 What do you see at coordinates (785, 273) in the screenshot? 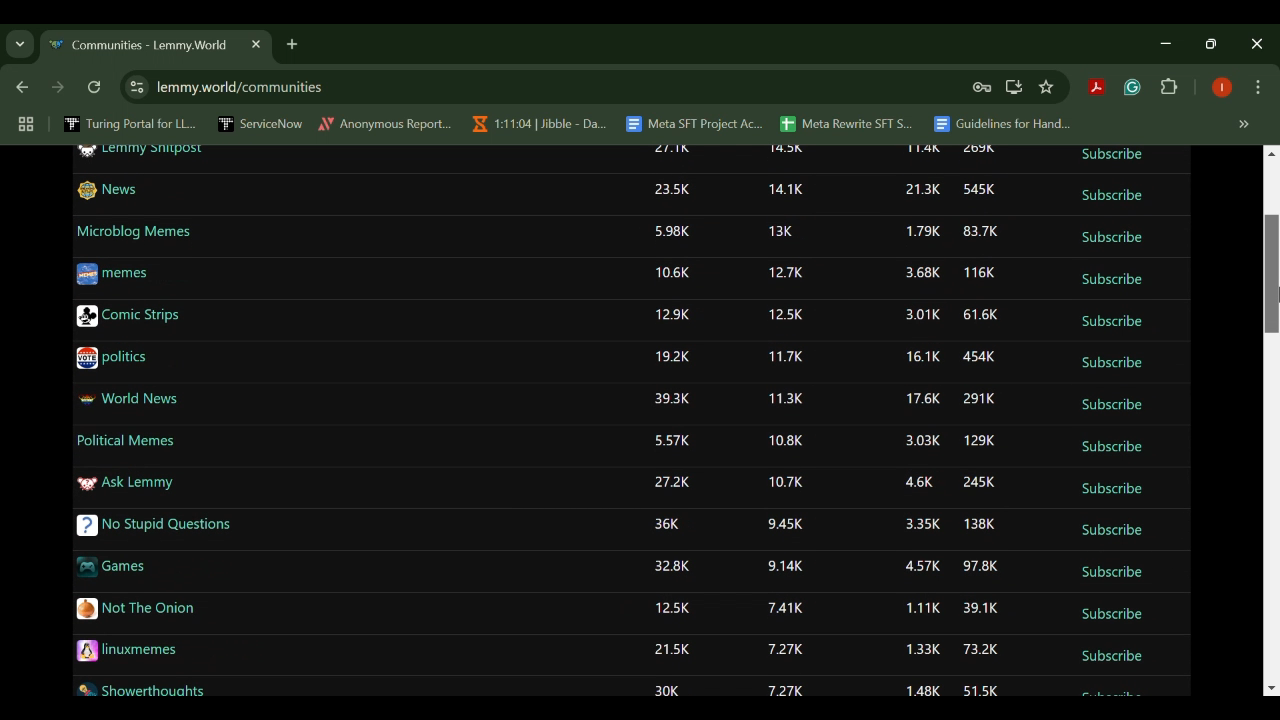
I see `12.7K` at bounding box center [785, 273].